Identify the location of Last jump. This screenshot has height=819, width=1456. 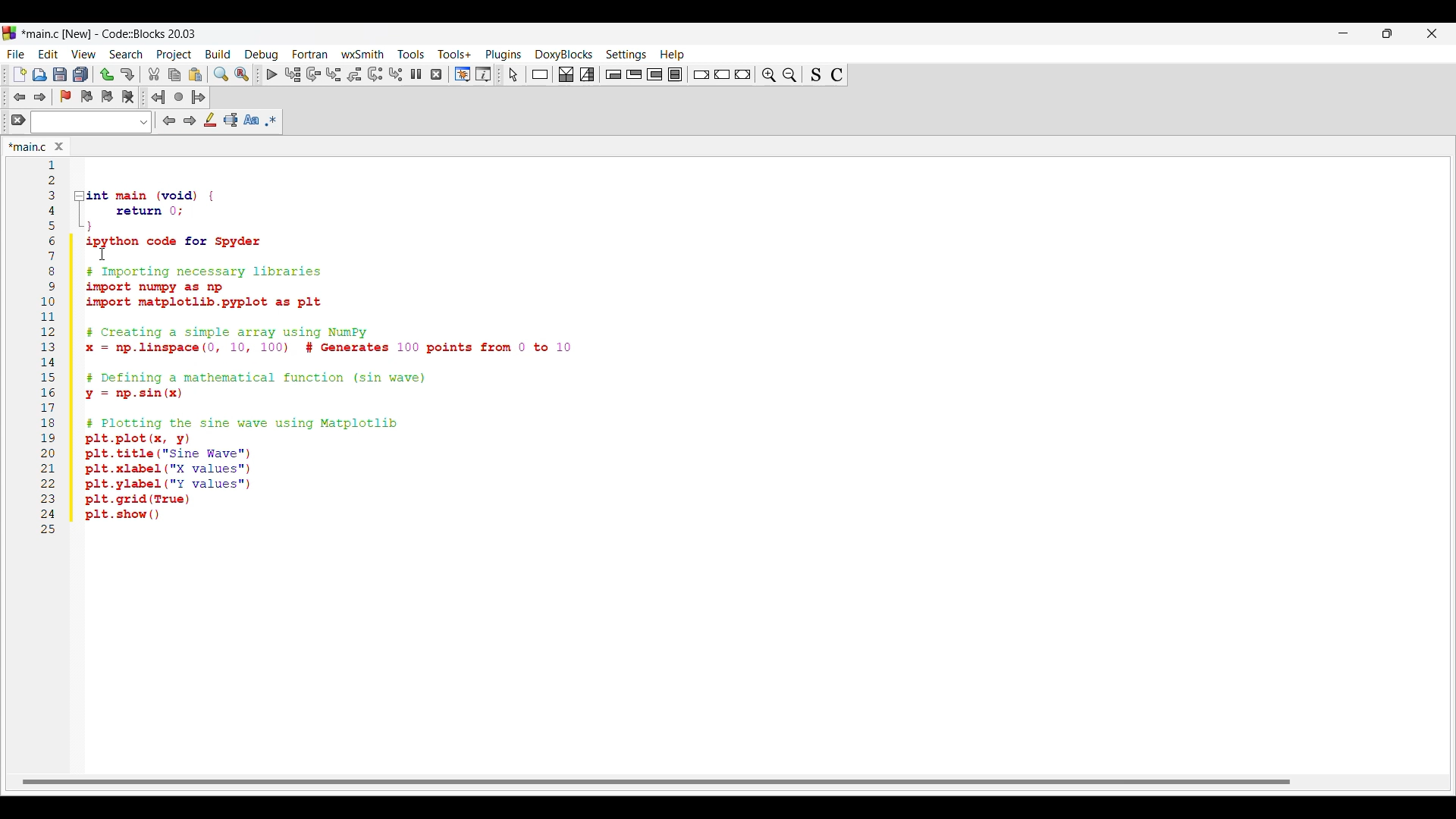
(179, 97).